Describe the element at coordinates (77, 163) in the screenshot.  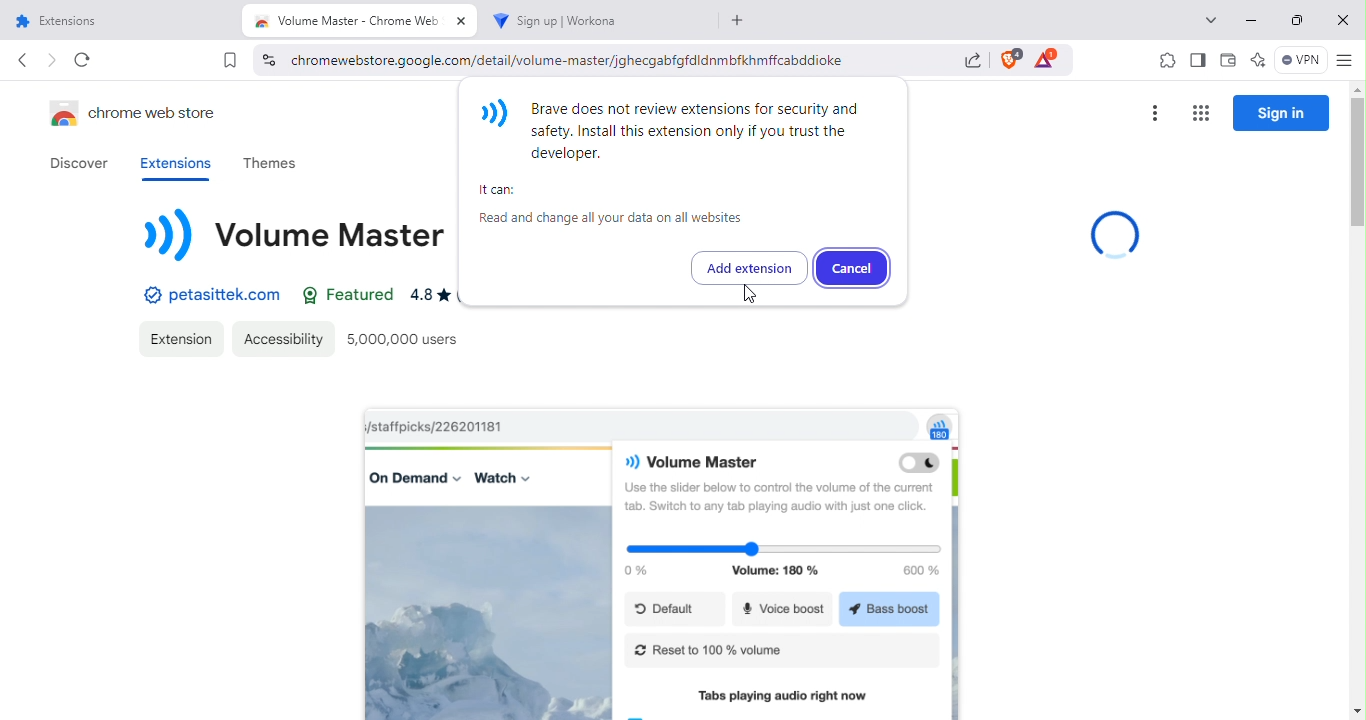
I see `discover` at that location.